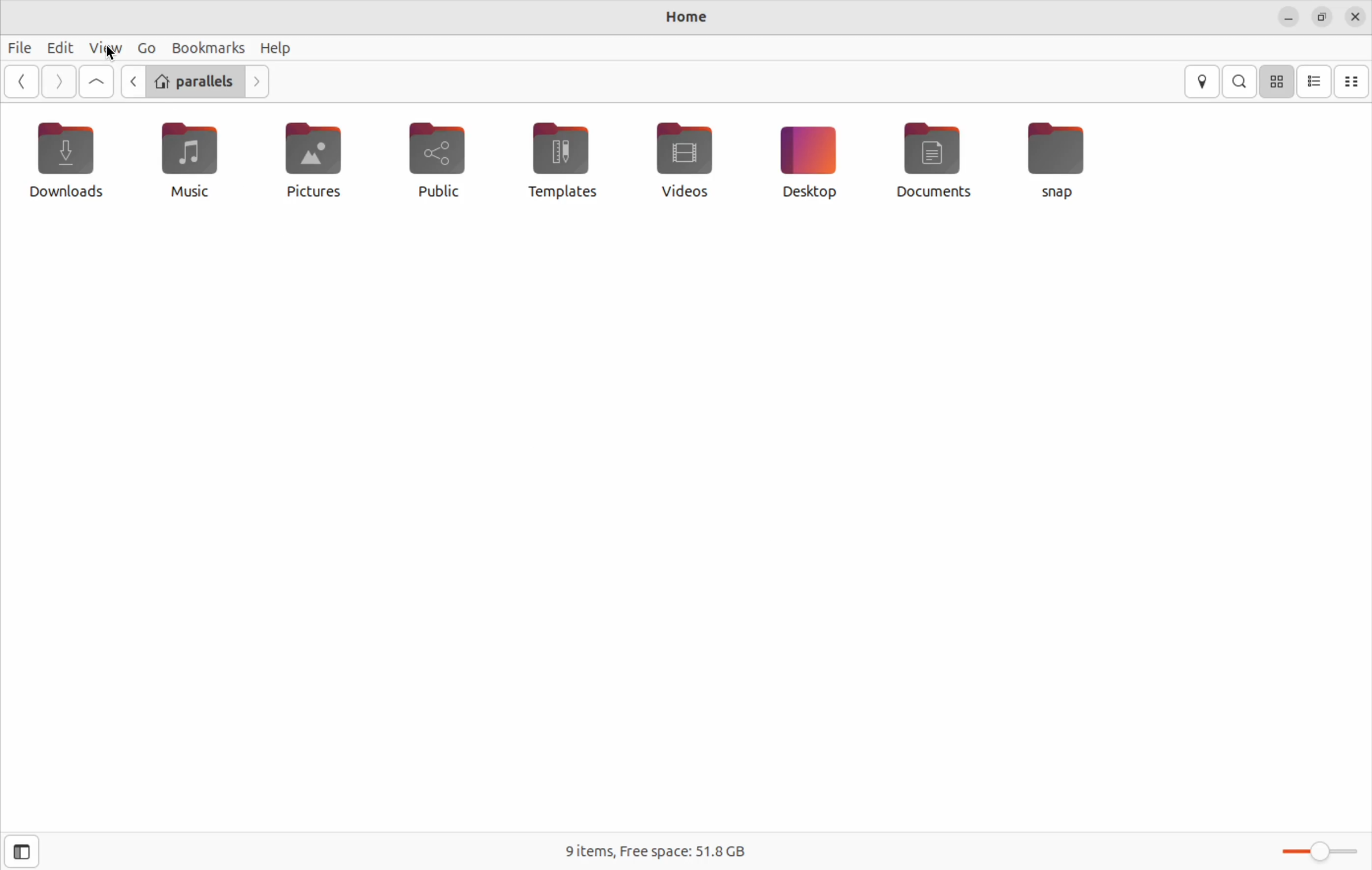  Describe the element at coordinates (1057, 157) in the screenshot. I see `Snap file` at that location.